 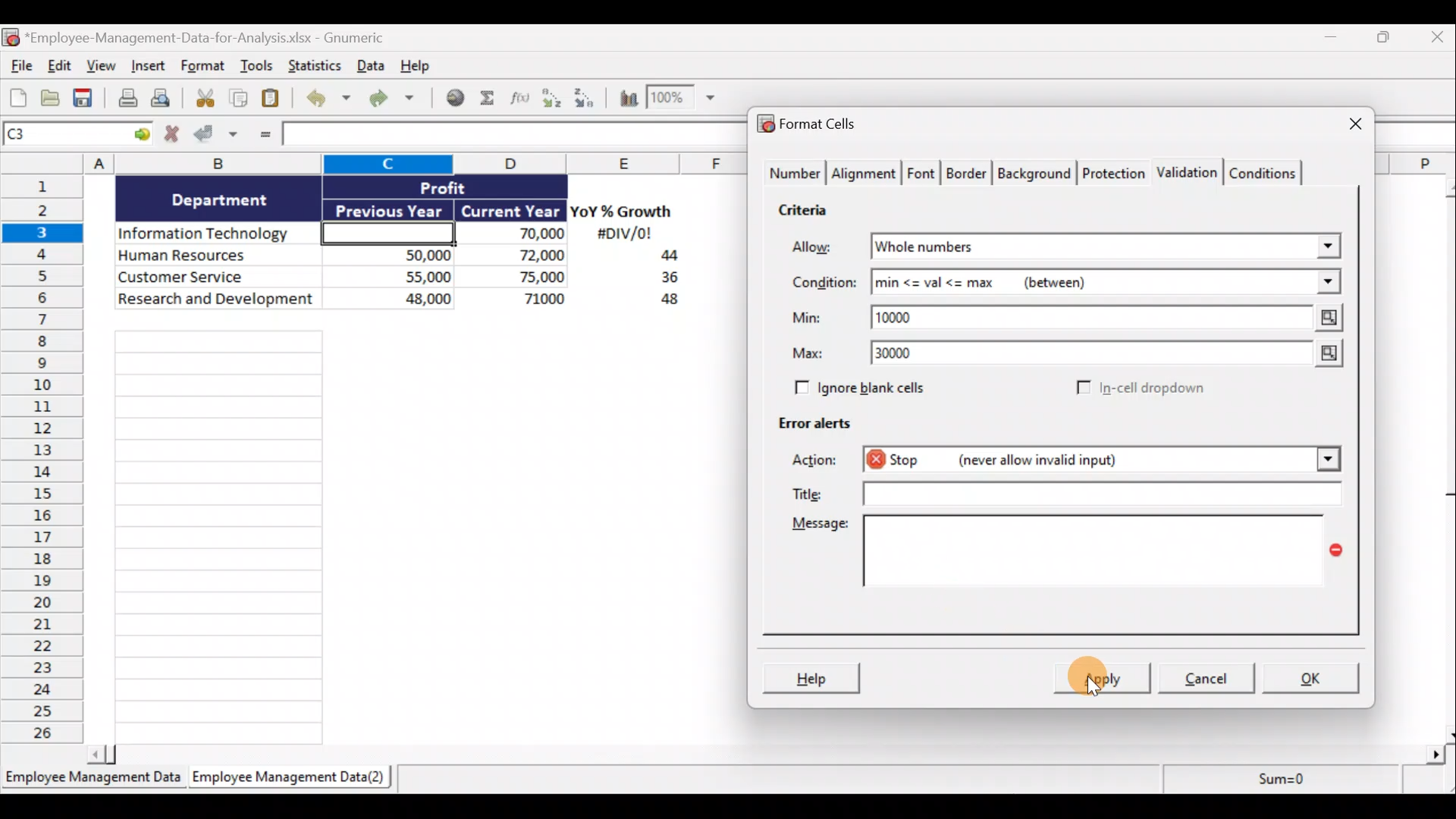 I want to click on 71,000, so click(x=522, y=300).